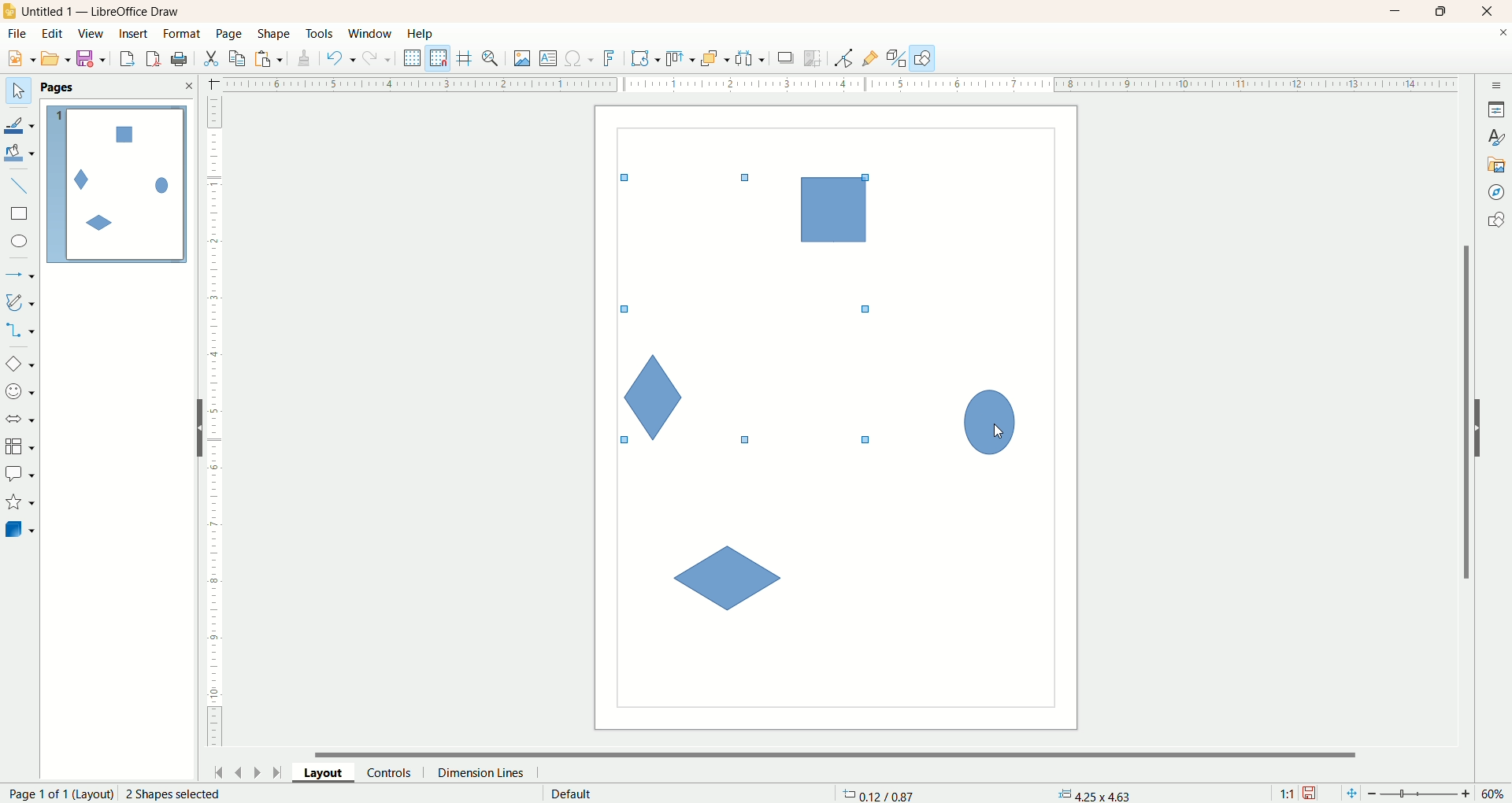 The height and width of the screenshot is (803, 1512). What do you see at coordinates (999, 434) in the screenshot?
I see `cursor` at bounding box center [999, 434].